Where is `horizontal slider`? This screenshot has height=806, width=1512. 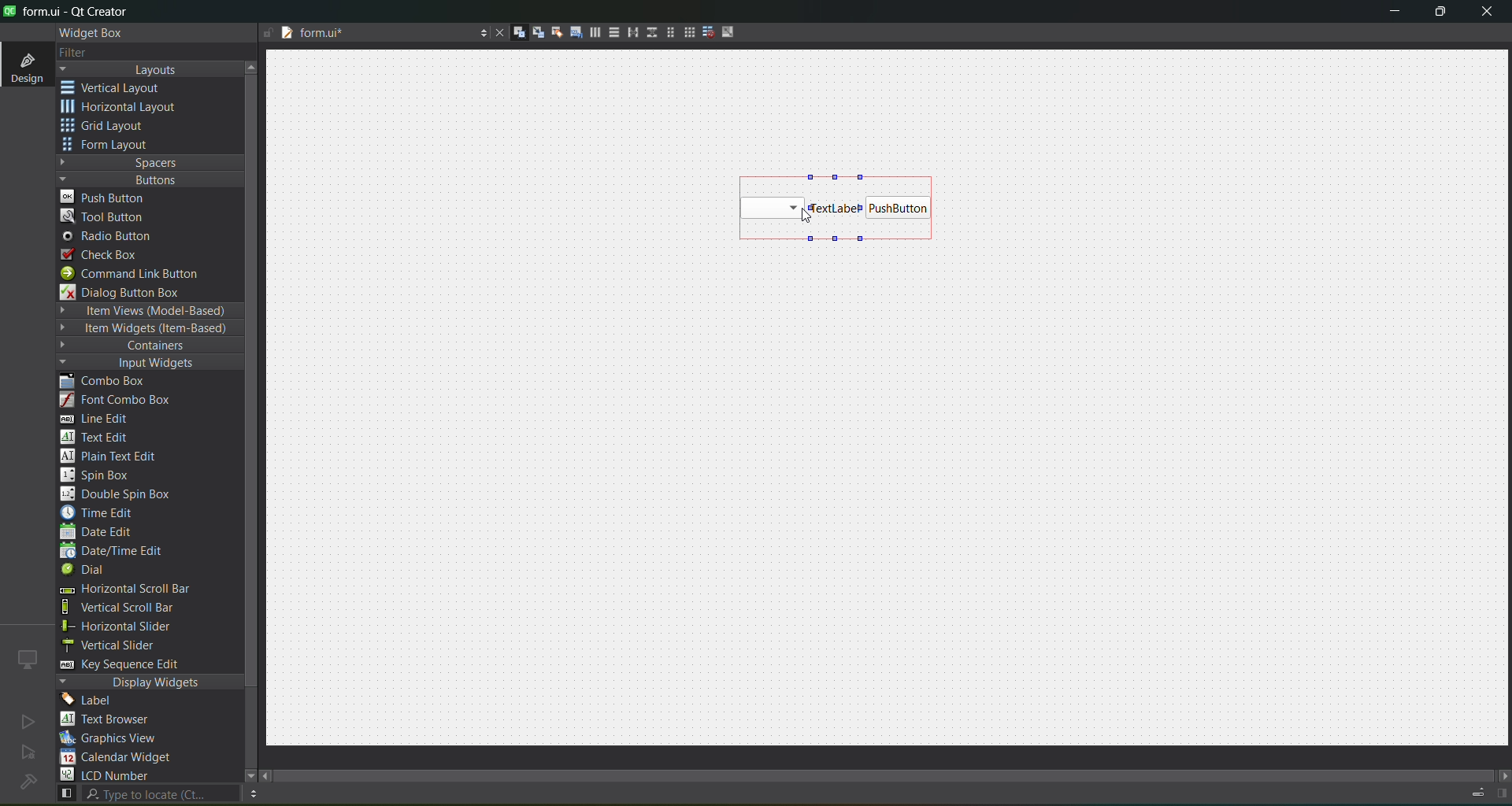 horizontal slider is located at coordinates (134, 627).